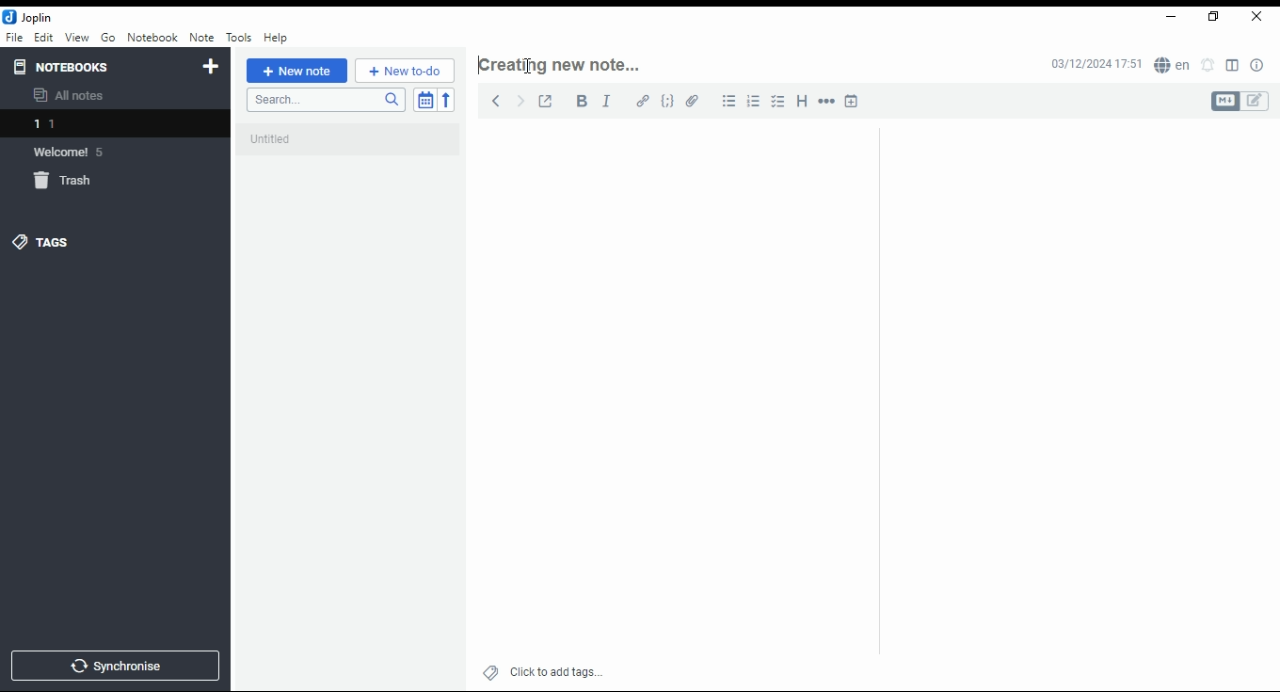  What do you see at coordinates (1224, 101) in the screenshot?
I see `Markdown` at bounding box center [1224, 101].